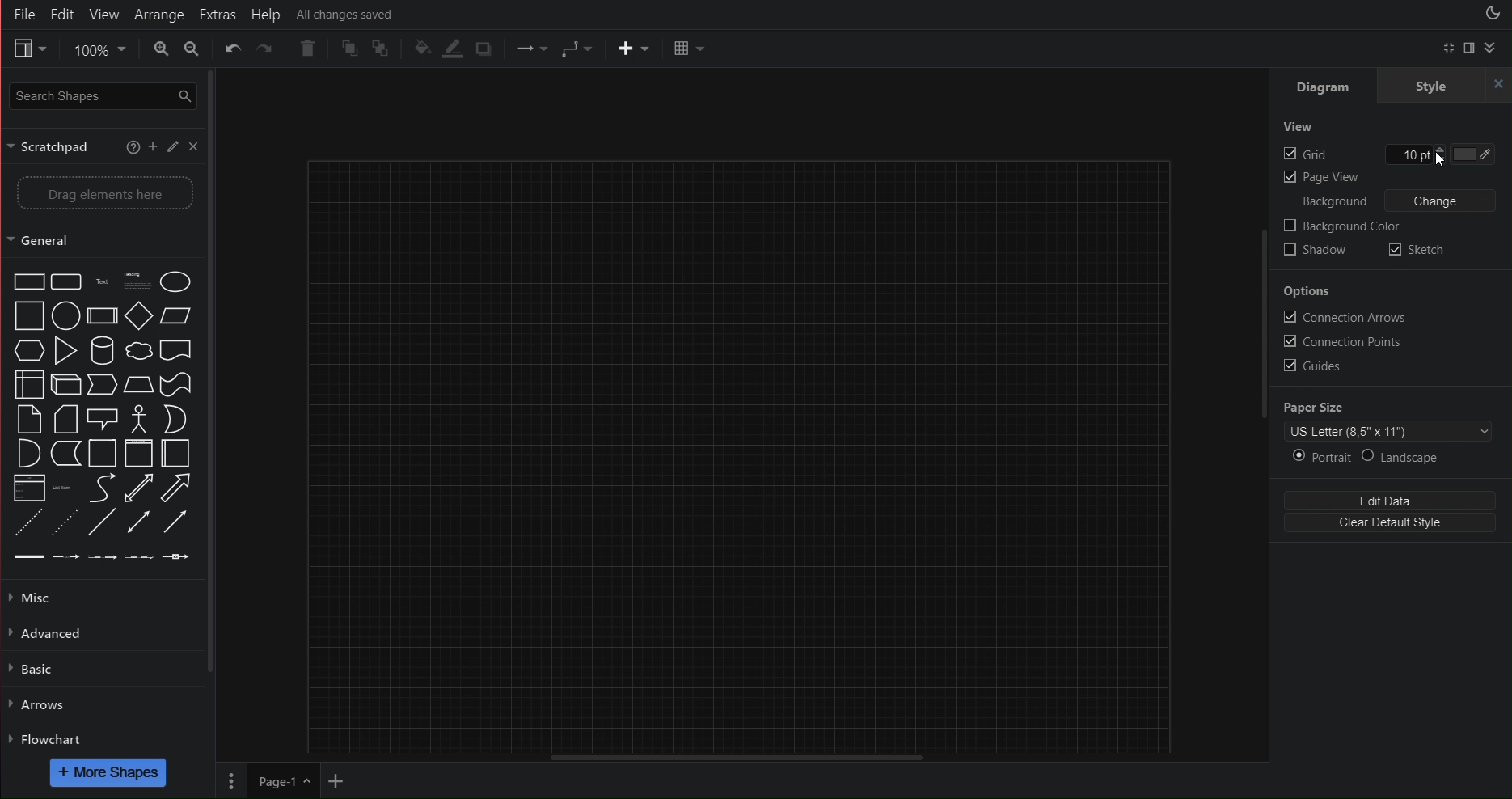 This screenshot has height=799, width=1512. What do you see at coordinates (1445, 87) in the screenshot?
I see `Style` at bounding box center [1445, 87].